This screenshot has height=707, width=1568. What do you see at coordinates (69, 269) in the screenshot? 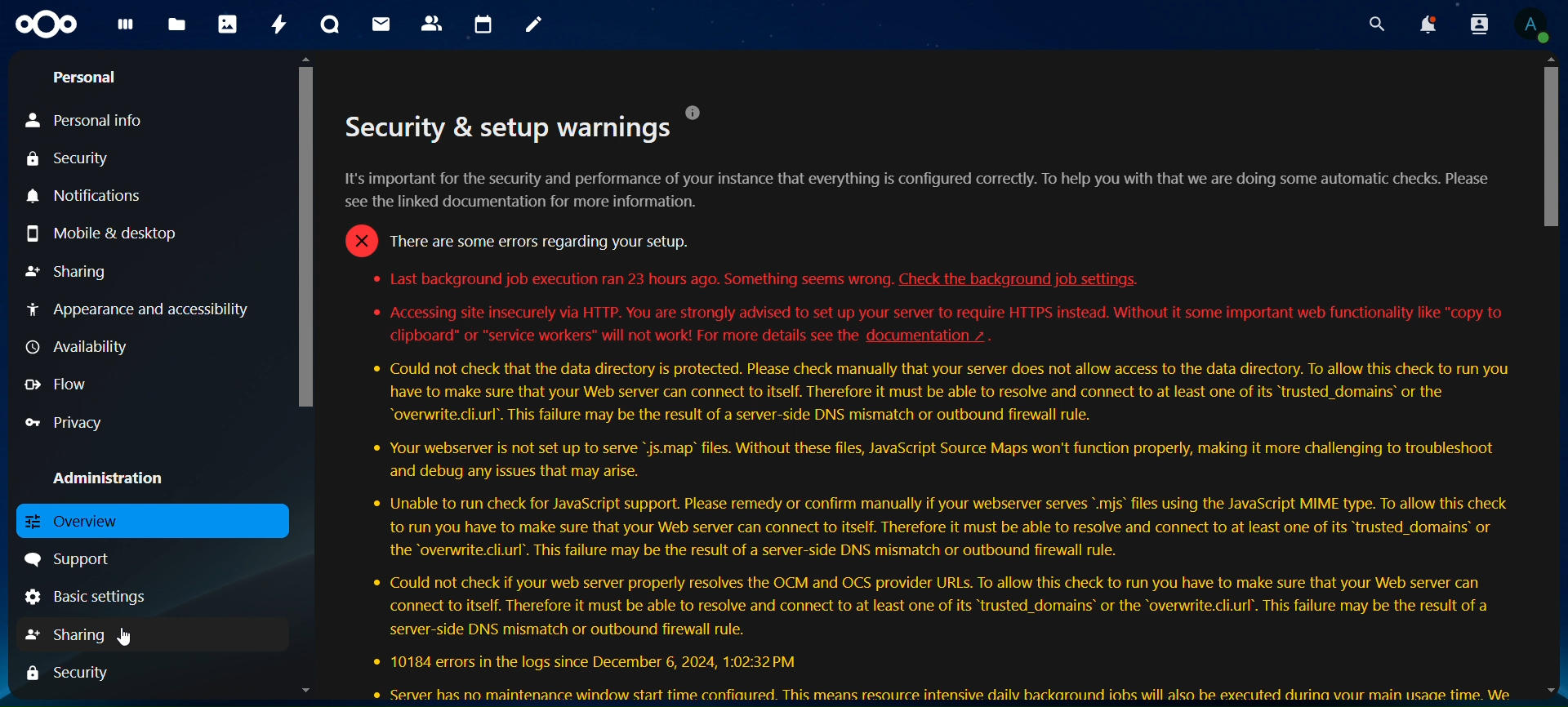
I see `sharing` at bounding box center [69, 269].